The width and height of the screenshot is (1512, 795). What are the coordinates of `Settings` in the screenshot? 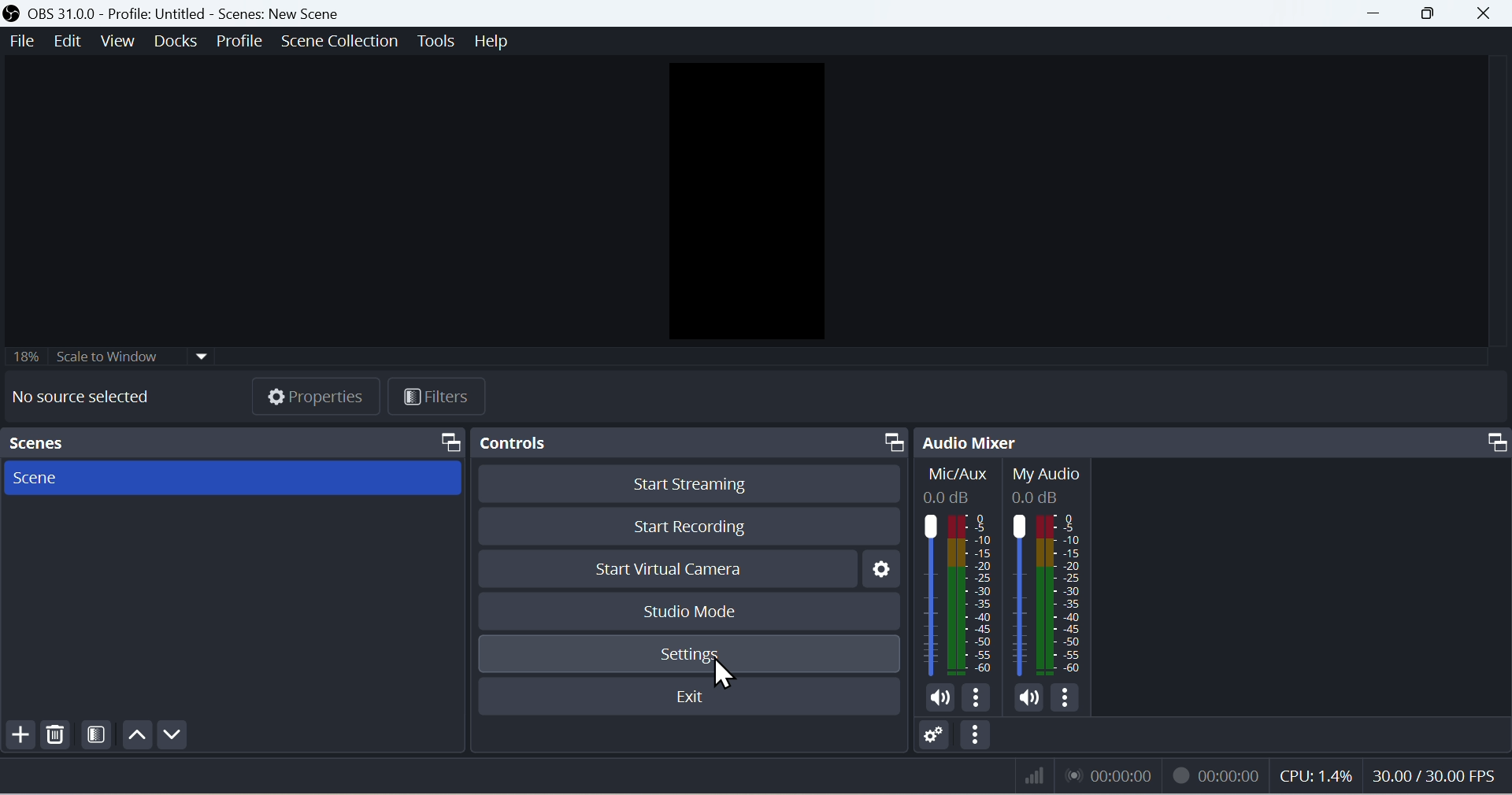 It's located at (877, 568).